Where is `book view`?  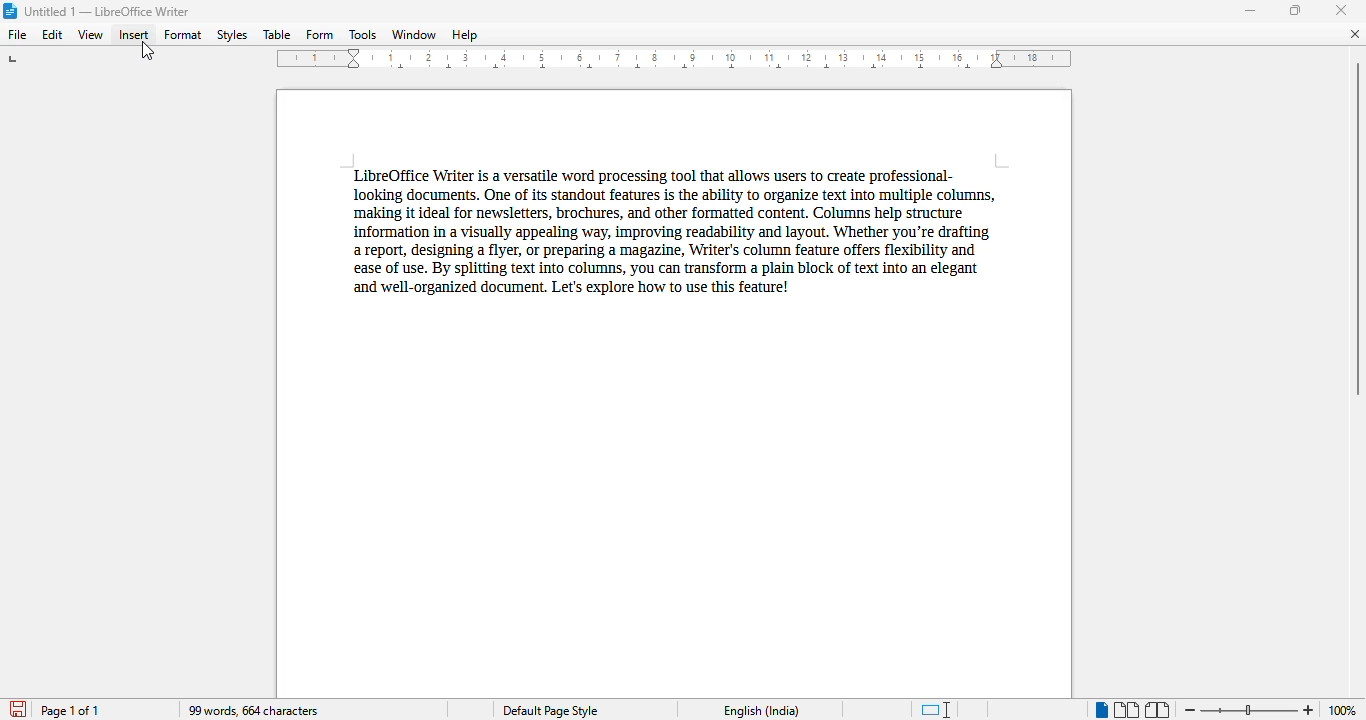
book view is located at coordinates (1156, 710).